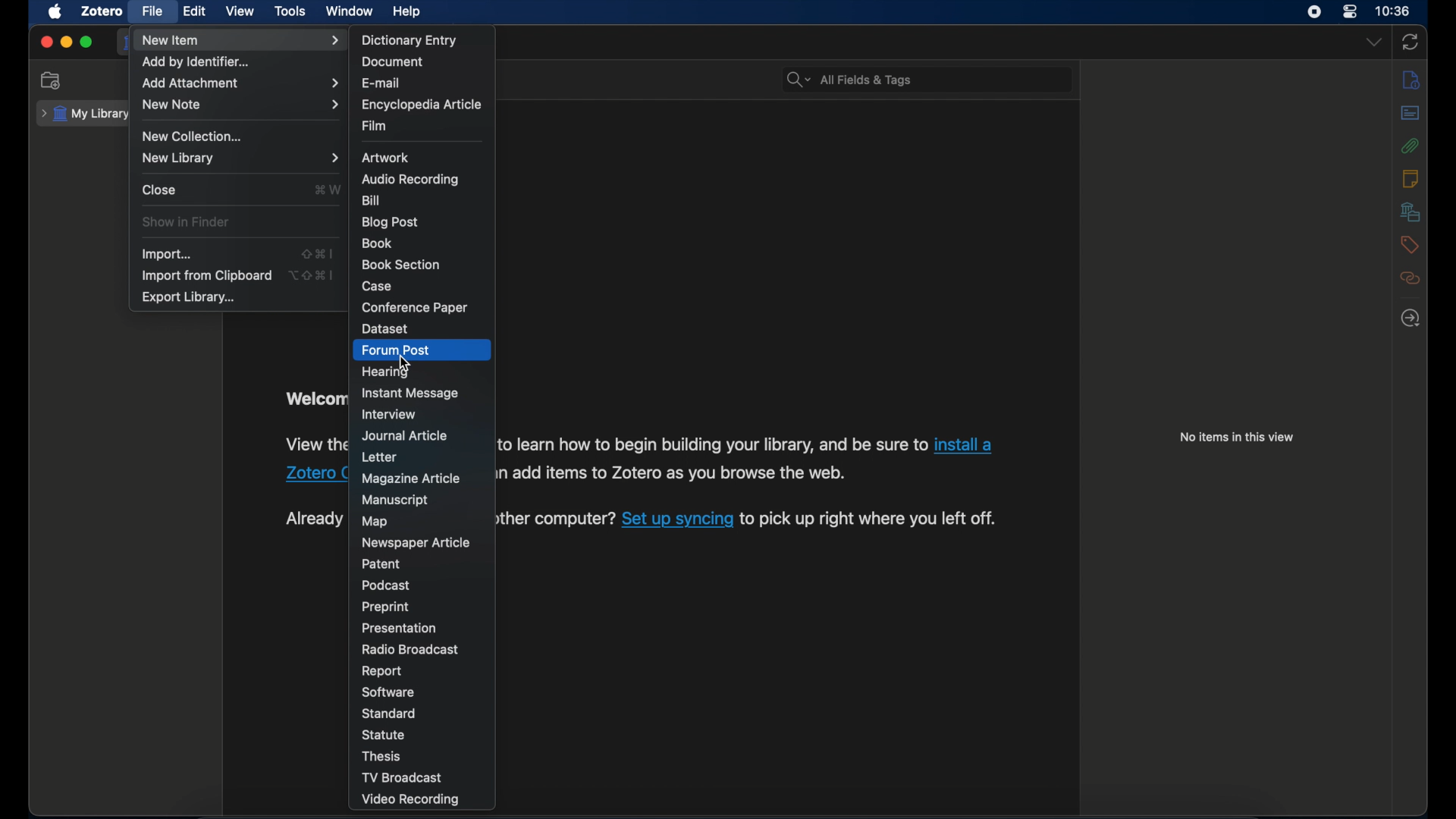 This screenshot has width=1456, height=819. What do you see at coordinates (387, 373) in the screenshot?
I see `hearing` at bounding box center [387, 373].